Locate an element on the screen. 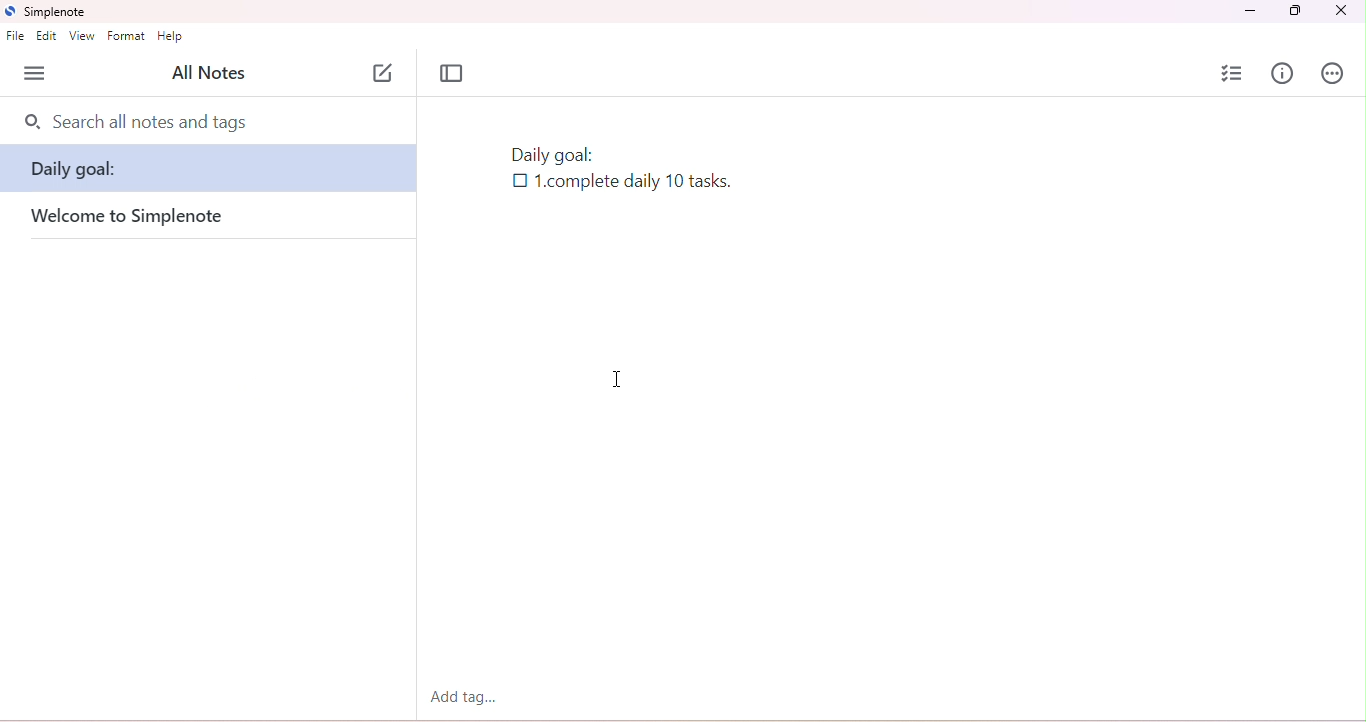 The width and height of the screenshot is (1366, 722). note with checklist is located at coordinates (619, 162).